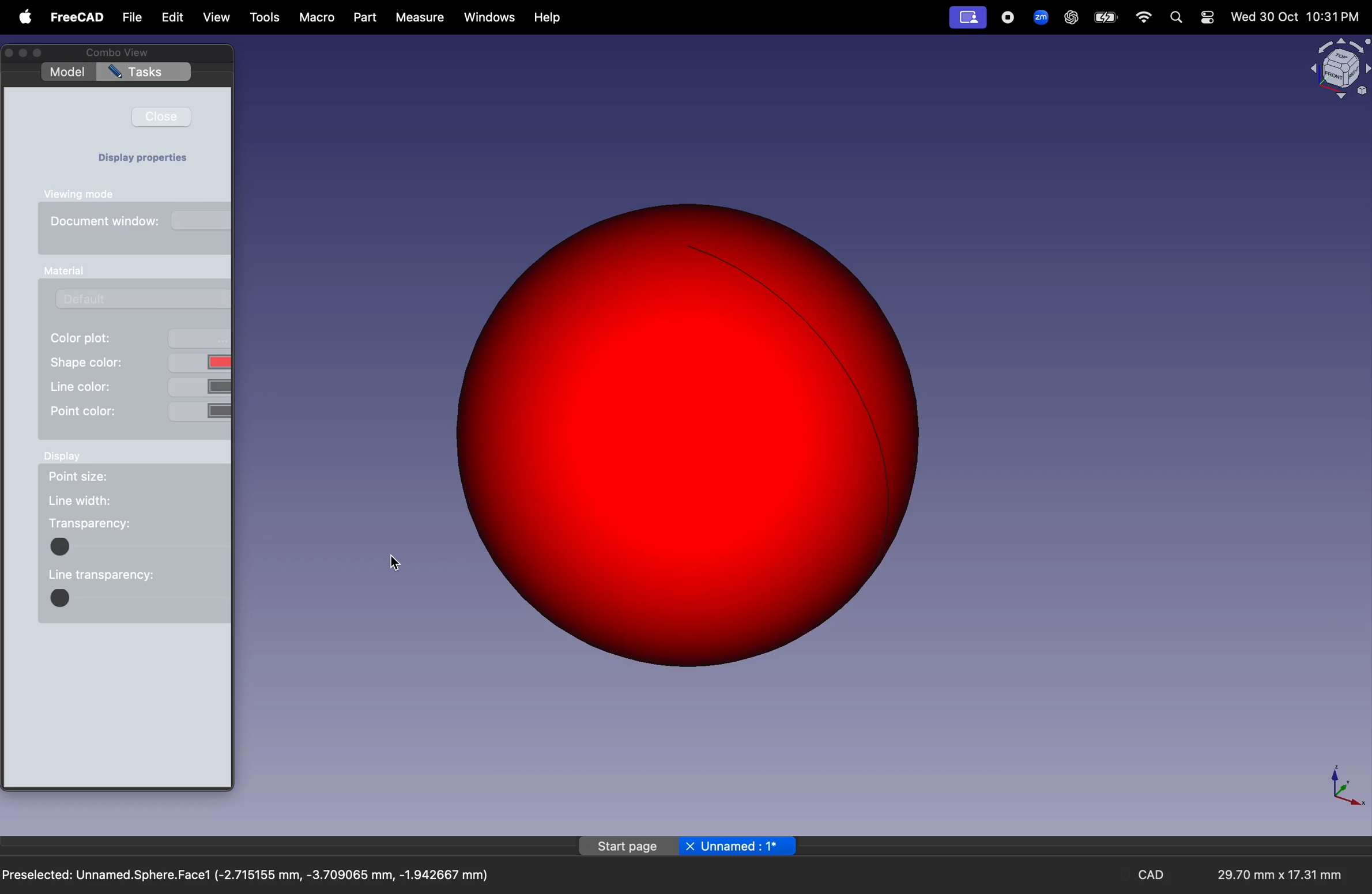 Image resolution: width=1372 pixels, height=894 pixels. What do you see at coordinates (133, 18) in the screenshot?
I see `file` at bounding box center [133, 18].